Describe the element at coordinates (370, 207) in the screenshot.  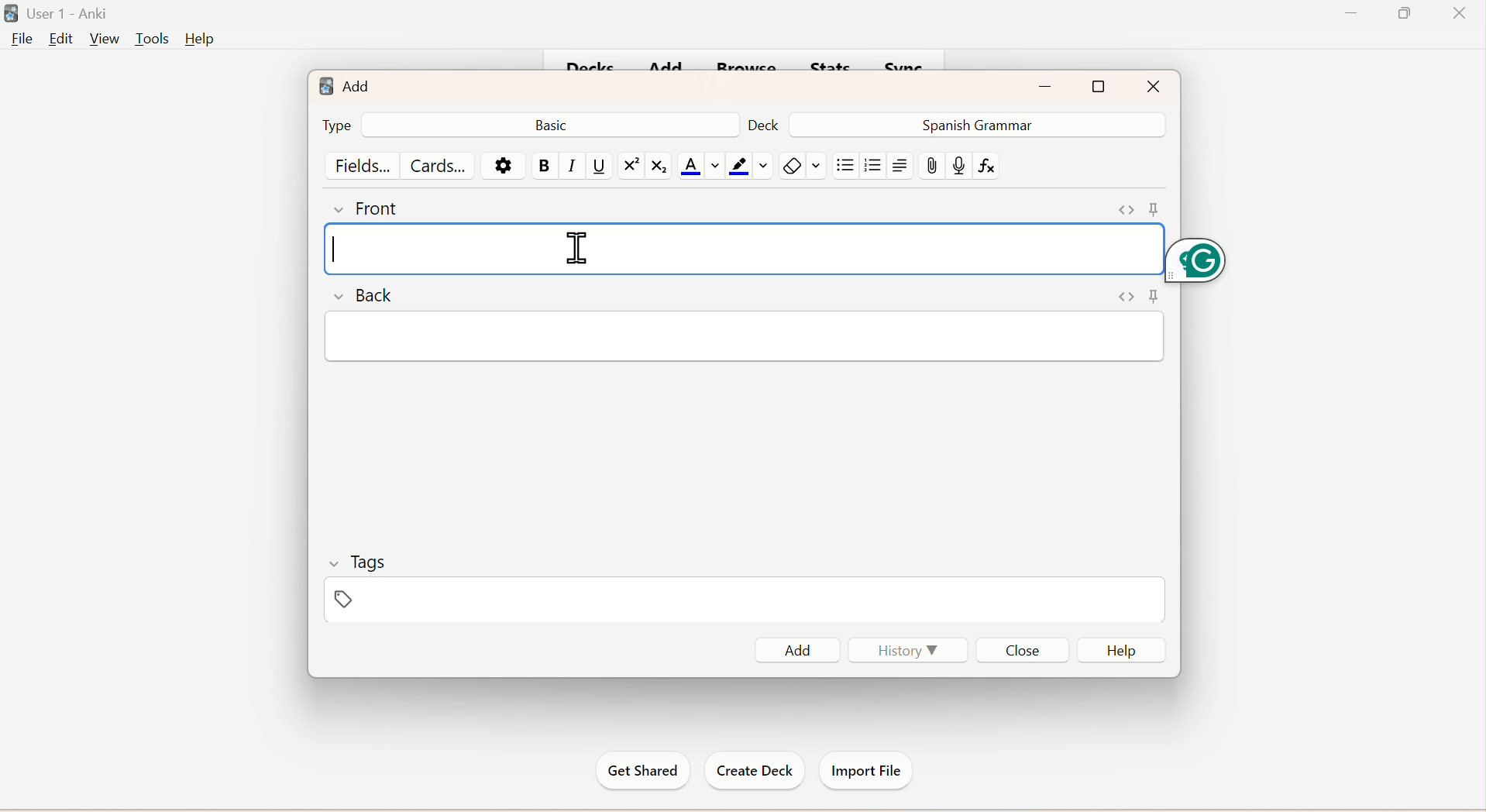
I see `Front` at that location.